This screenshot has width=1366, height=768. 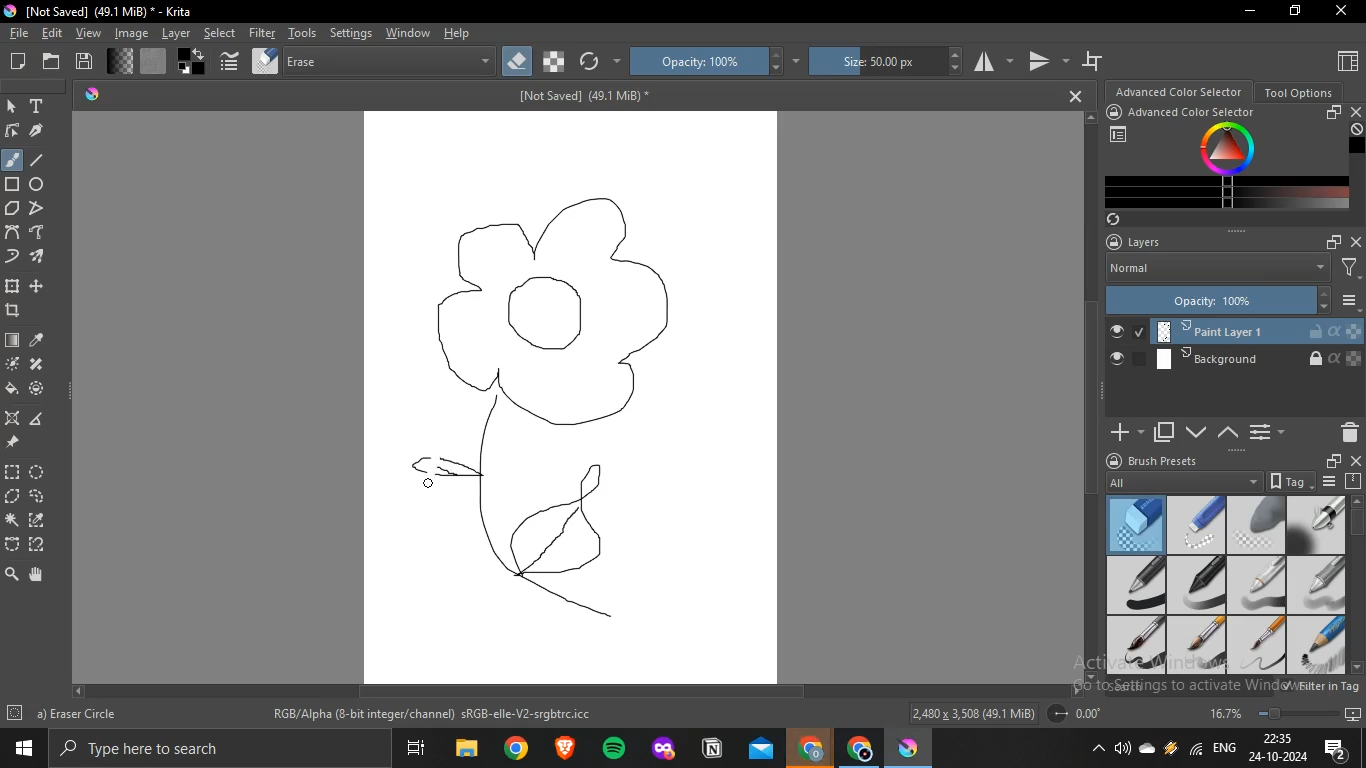 I want to click on eraser small, so click(x=1196, y=524).